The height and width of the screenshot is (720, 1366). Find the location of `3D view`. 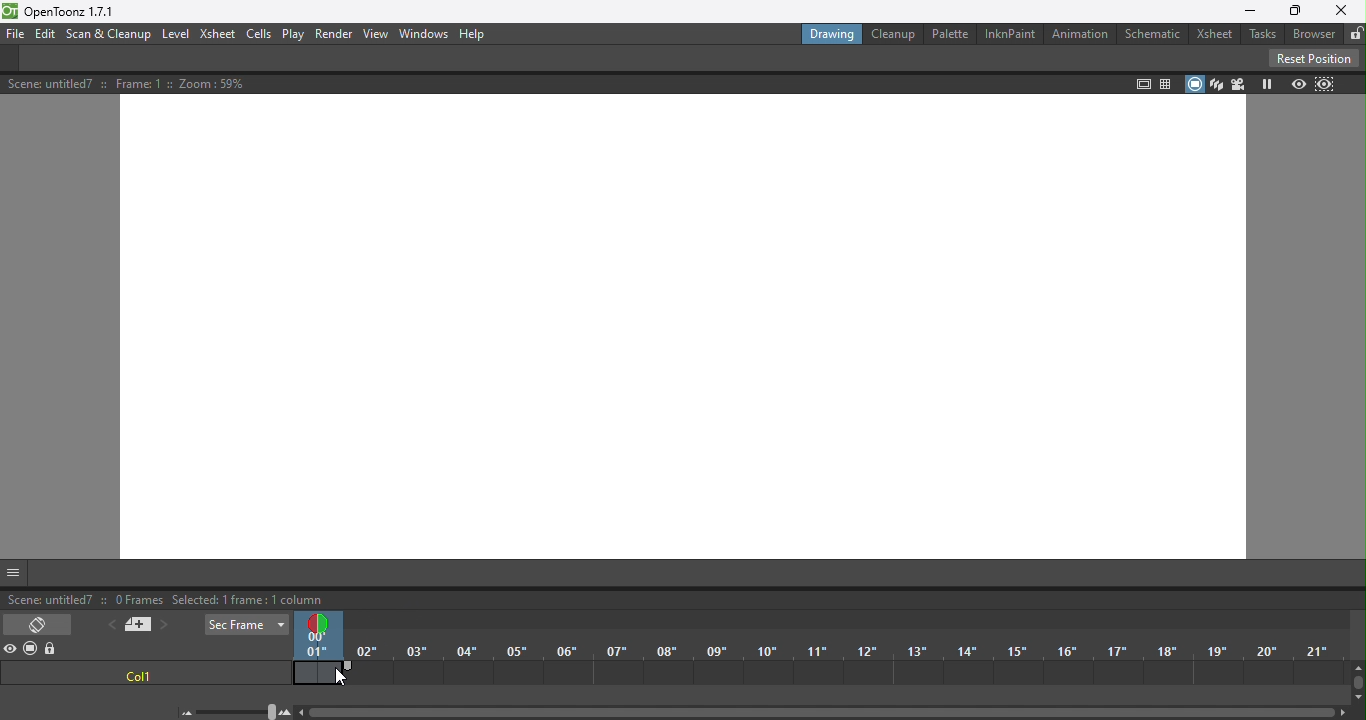

3D view is located at coordinates (1214, 83).